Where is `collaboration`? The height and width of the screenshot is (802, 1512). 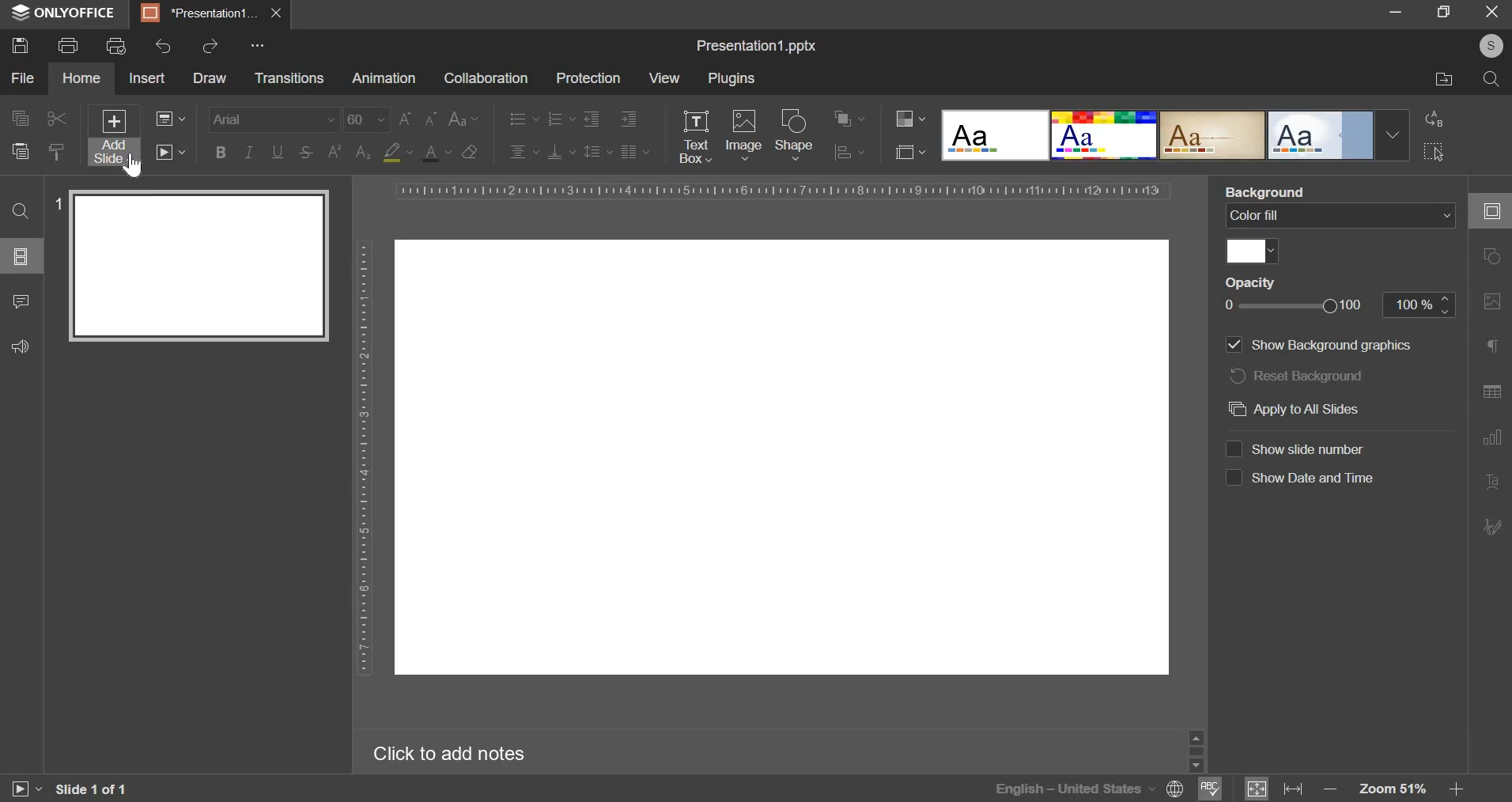 collaboration is located at coordinates (485, 78).